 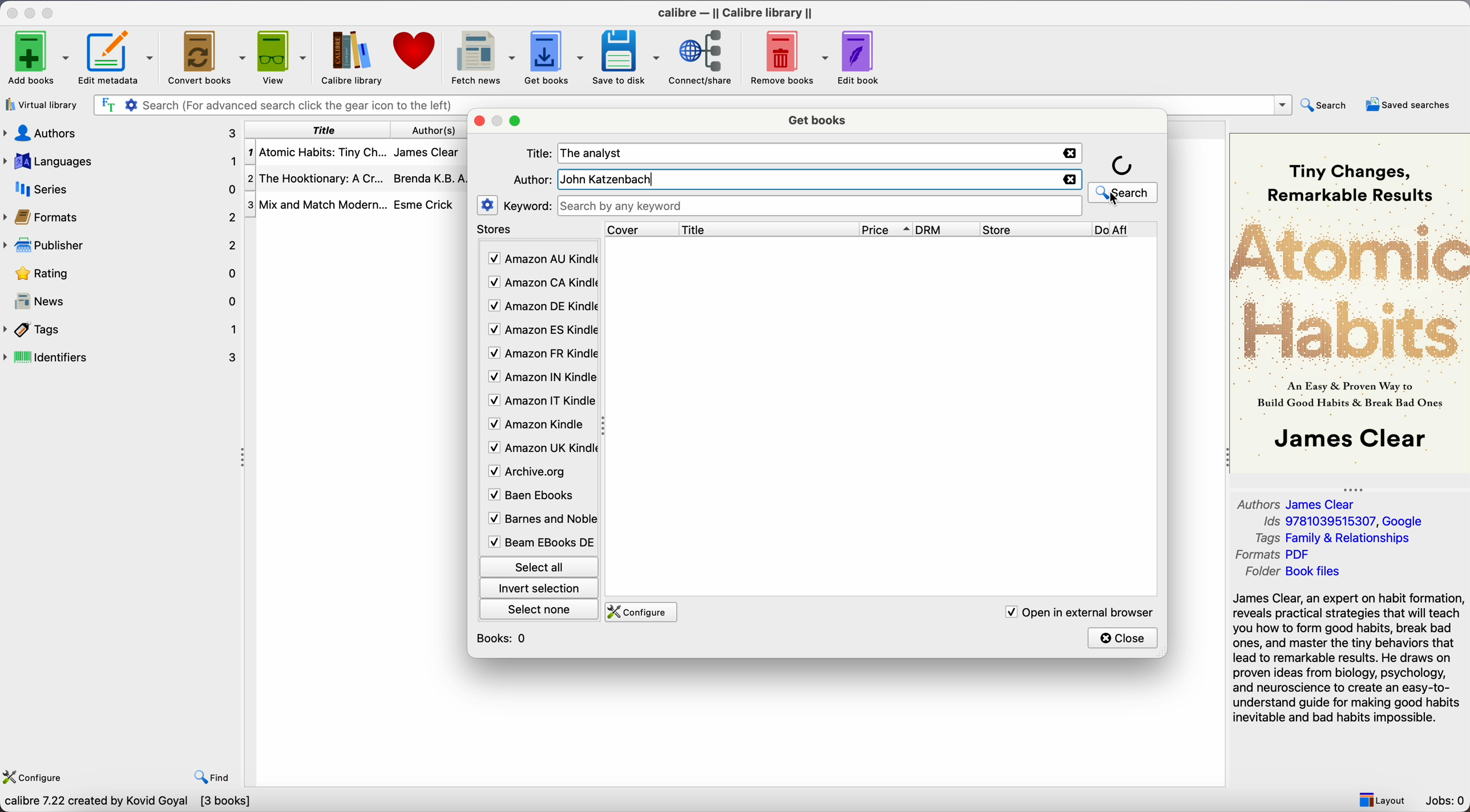 I want to click on identifiers, so click(x=126, y=356).